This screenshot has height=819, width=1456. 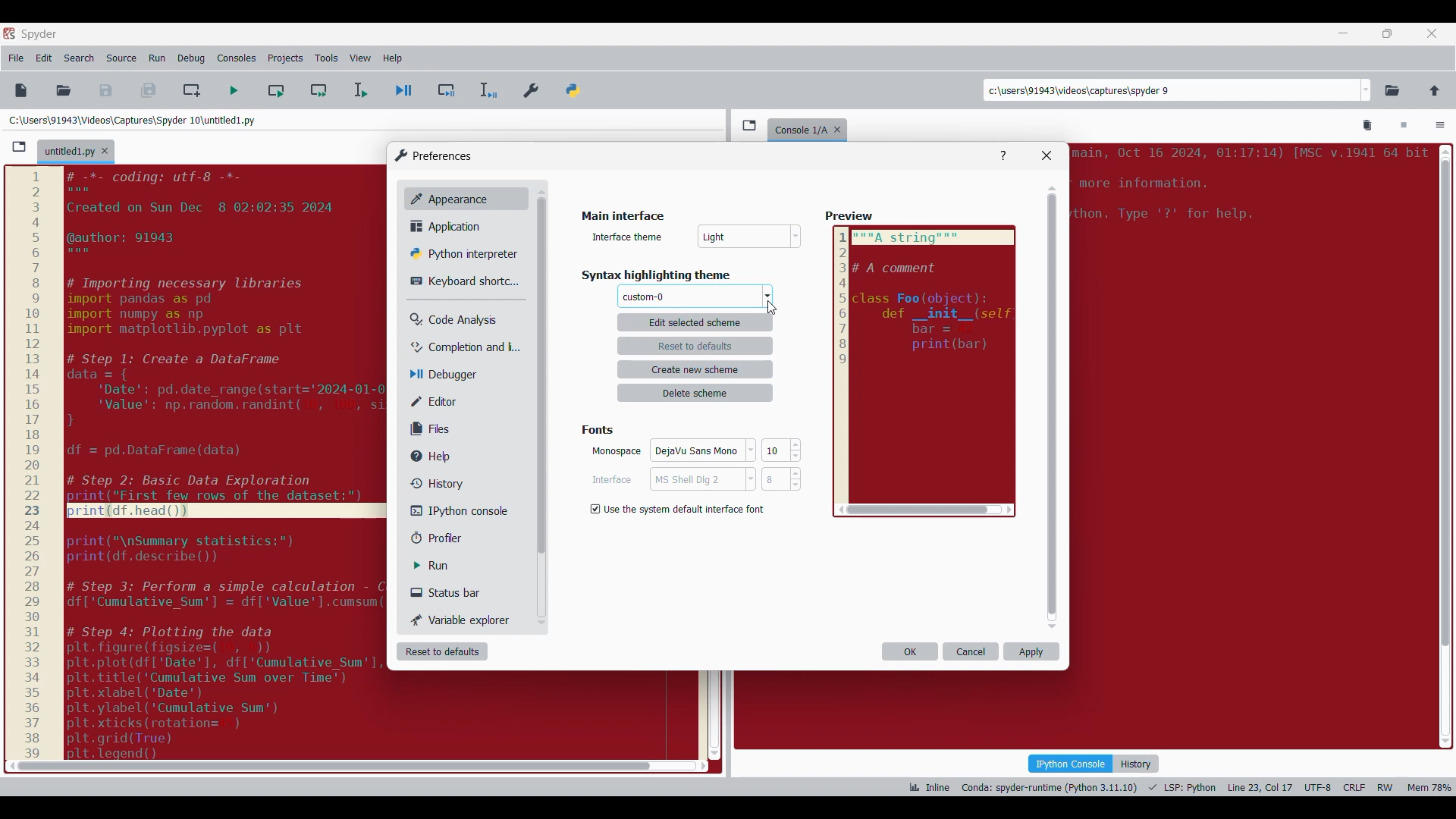 I want to click on Editor, so click(x=444, y=401).